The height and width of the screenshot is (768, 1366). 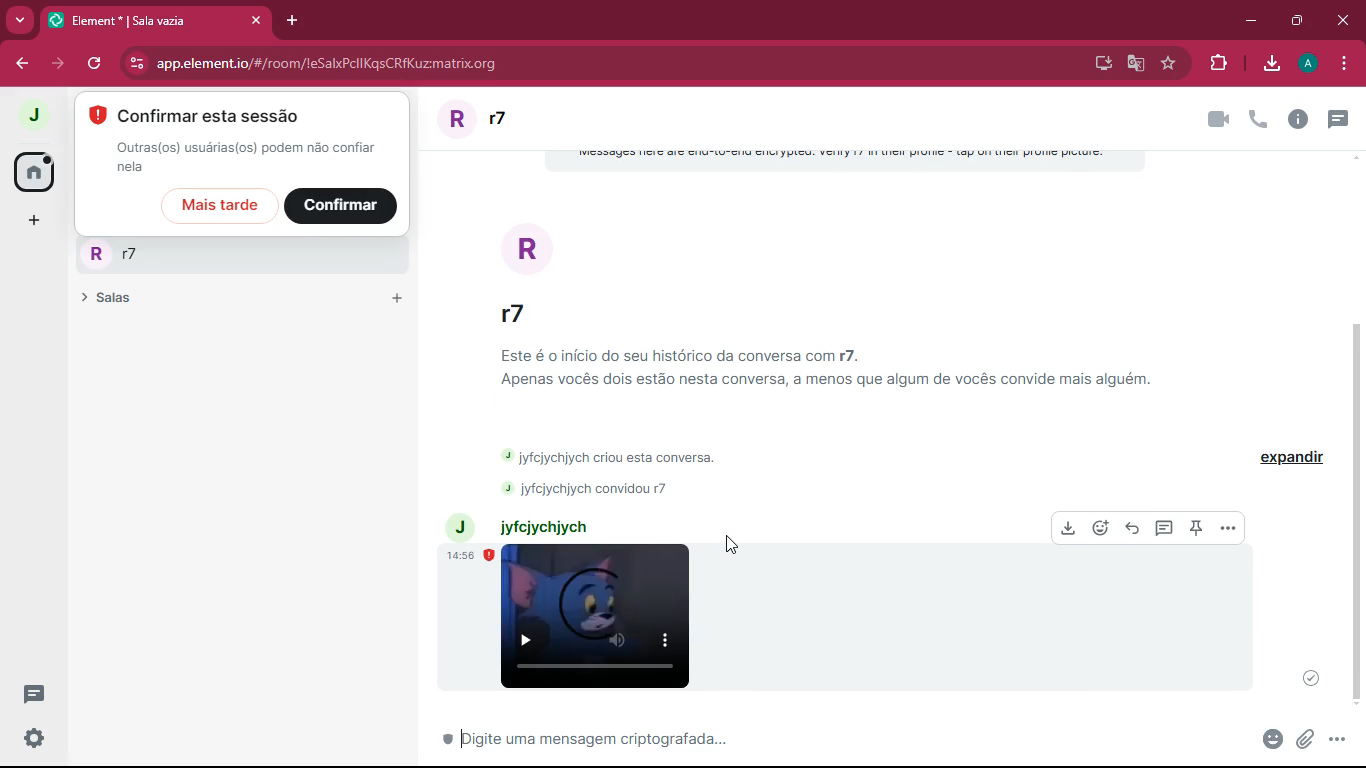 What do you see at coordinates (623, 454) in the screenshot?
I see `j jyfcjychjych criou esta conversa` at bounding box center [623, 454].